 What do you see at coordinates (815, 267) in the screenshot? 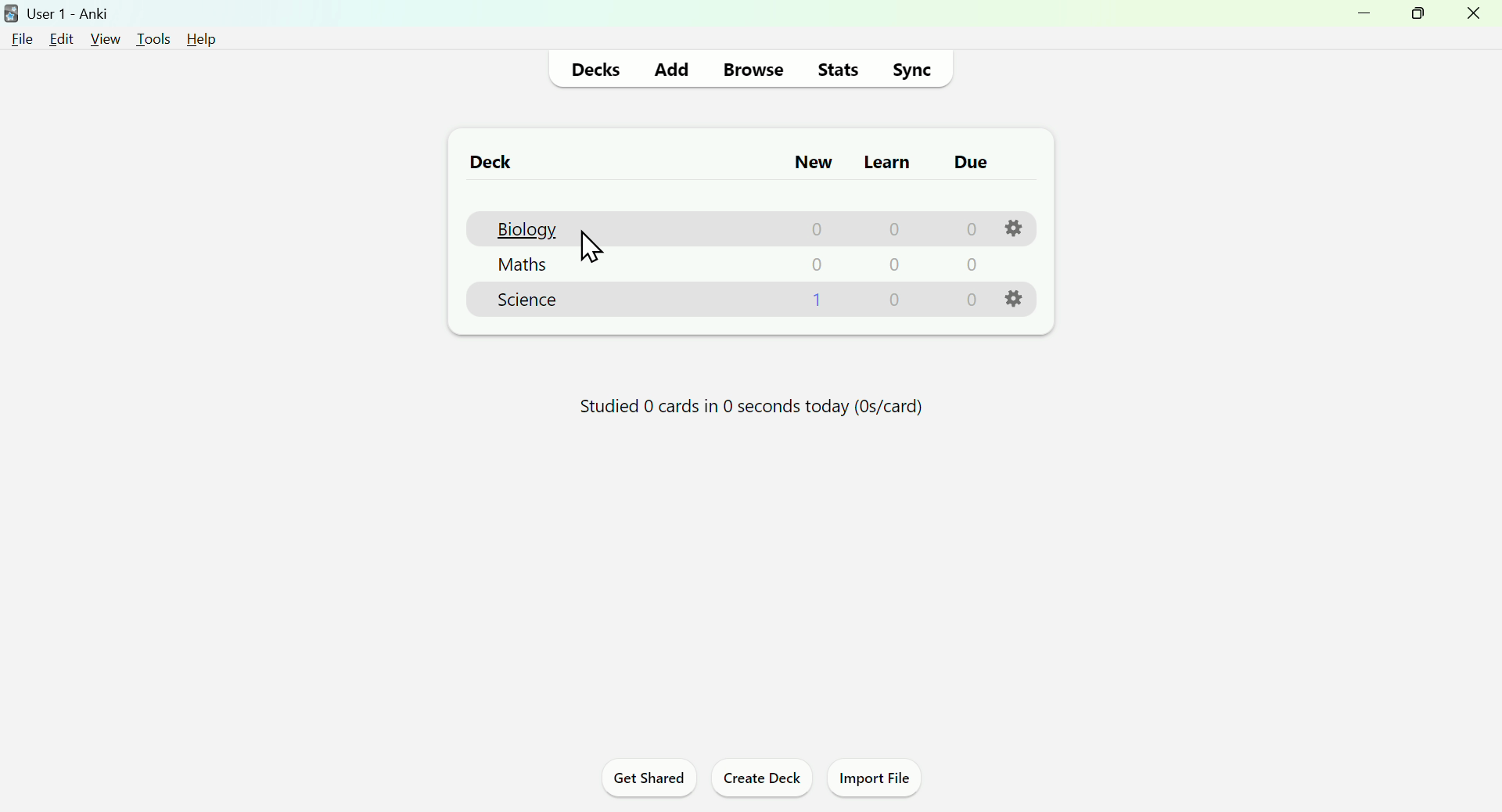
I see `0` at bounding box center [815, 267].